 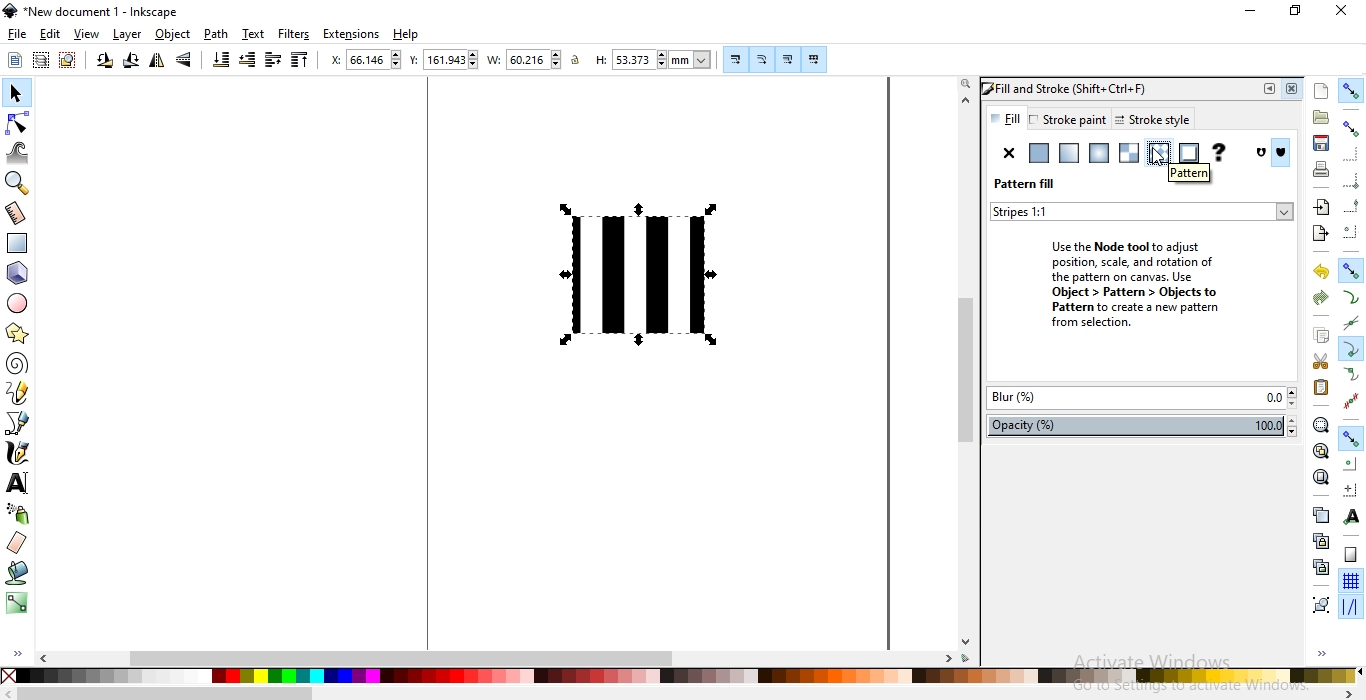 What do you see at coordinates (1349, 153) in the screenshot?
I see `snap to edges of bounding box` at bounding box center [1349, 153].